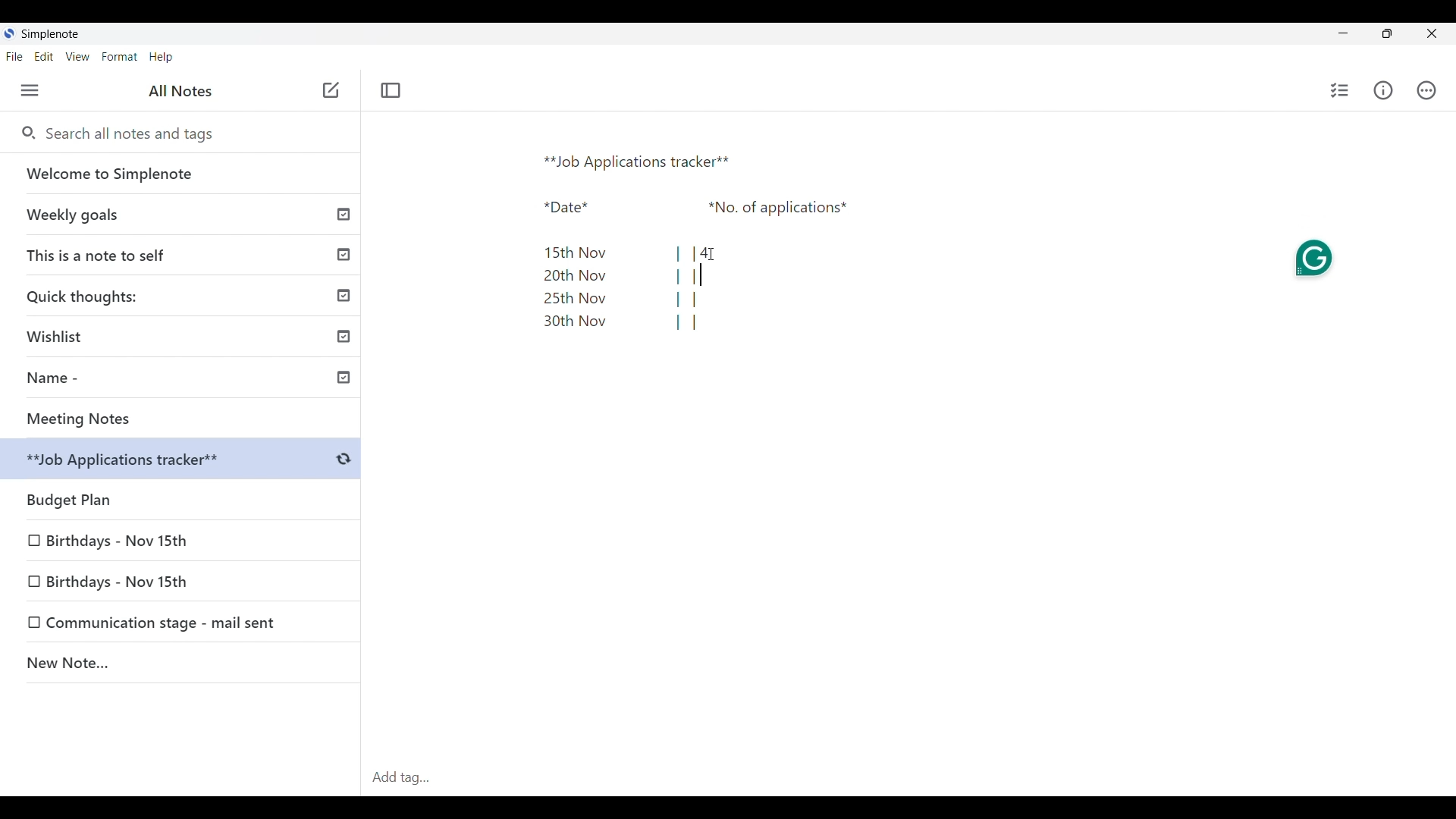 Image resolution: width=1456 pixels, height=819 pixels. What do you see at coordinates (120, 57) in the screenshot?
I see `Format ` at bounding box center [120, 57].